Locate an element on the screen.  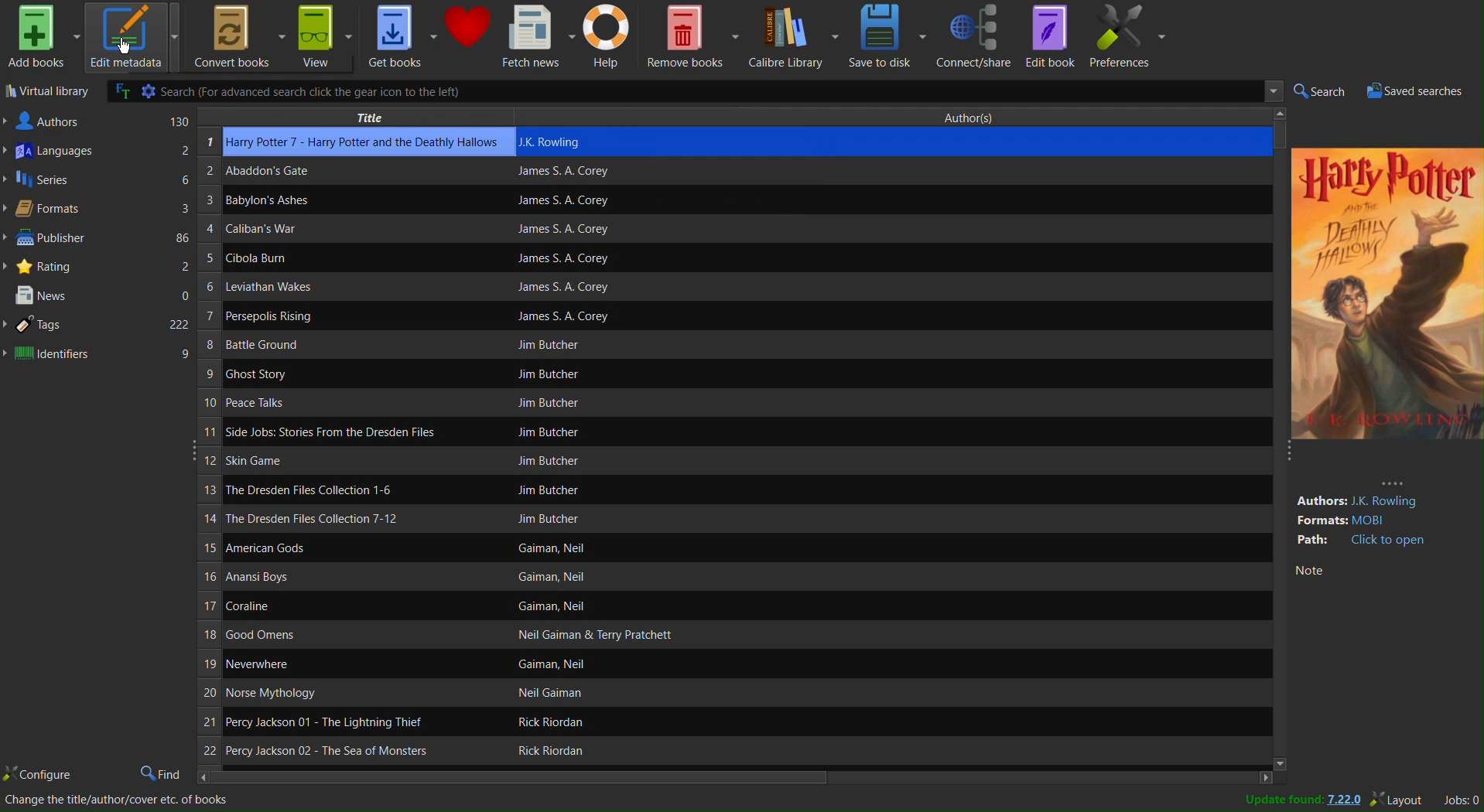
Book name is located at coordinates (326, 722).